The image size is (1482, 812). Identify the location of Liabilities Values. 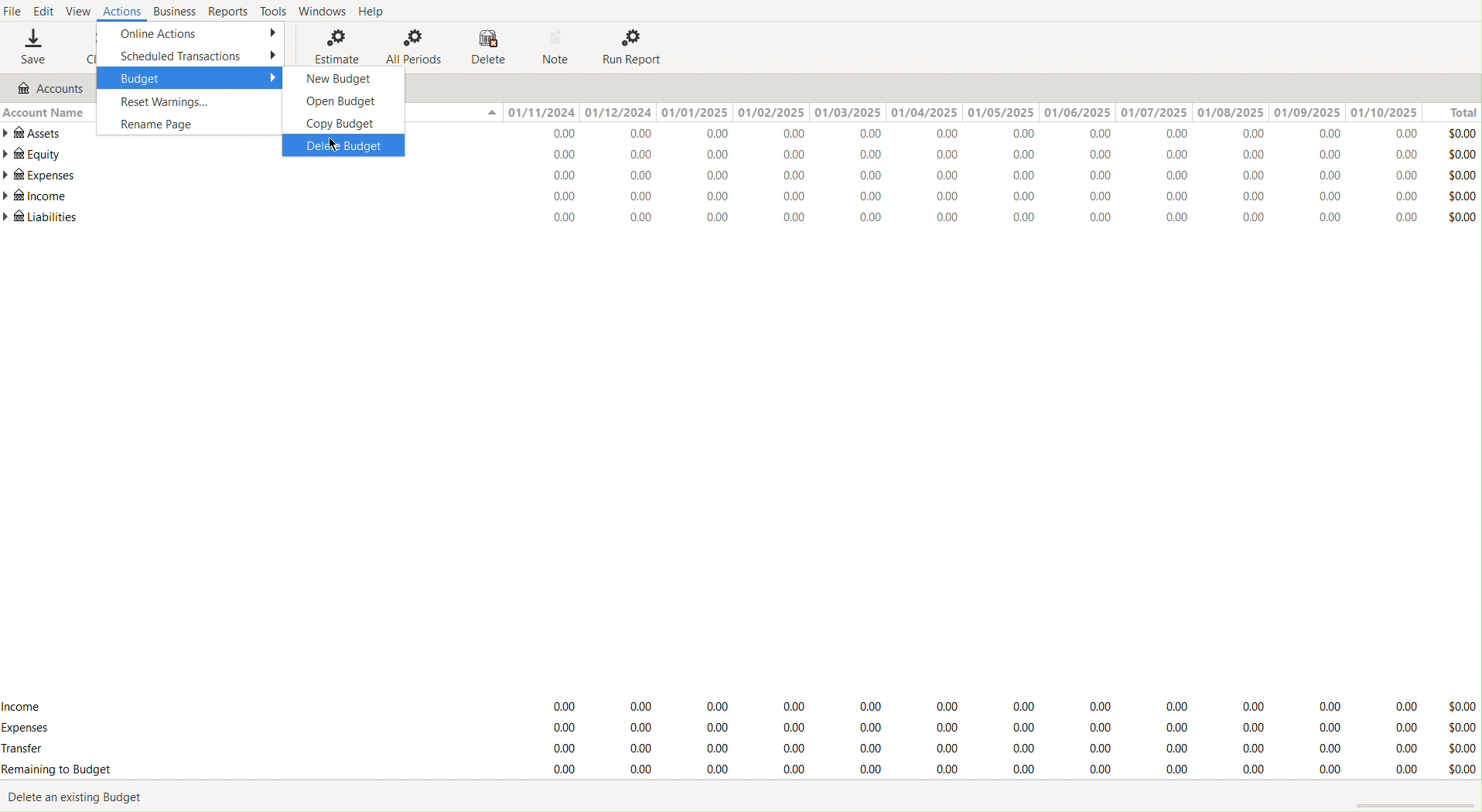
(982, 218).